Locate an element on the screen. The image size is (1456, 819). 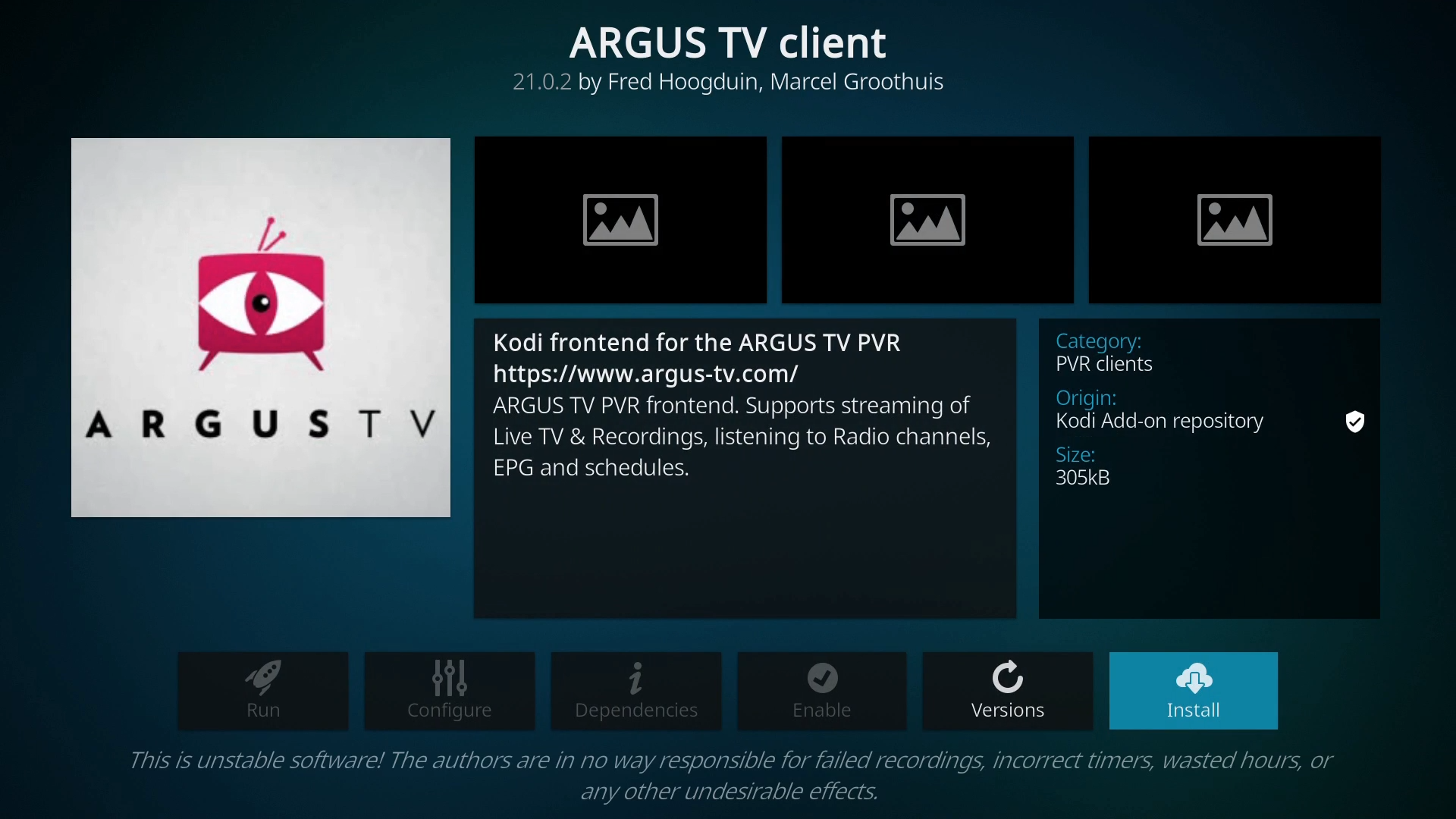
install is located at coordinates (1196, 687).